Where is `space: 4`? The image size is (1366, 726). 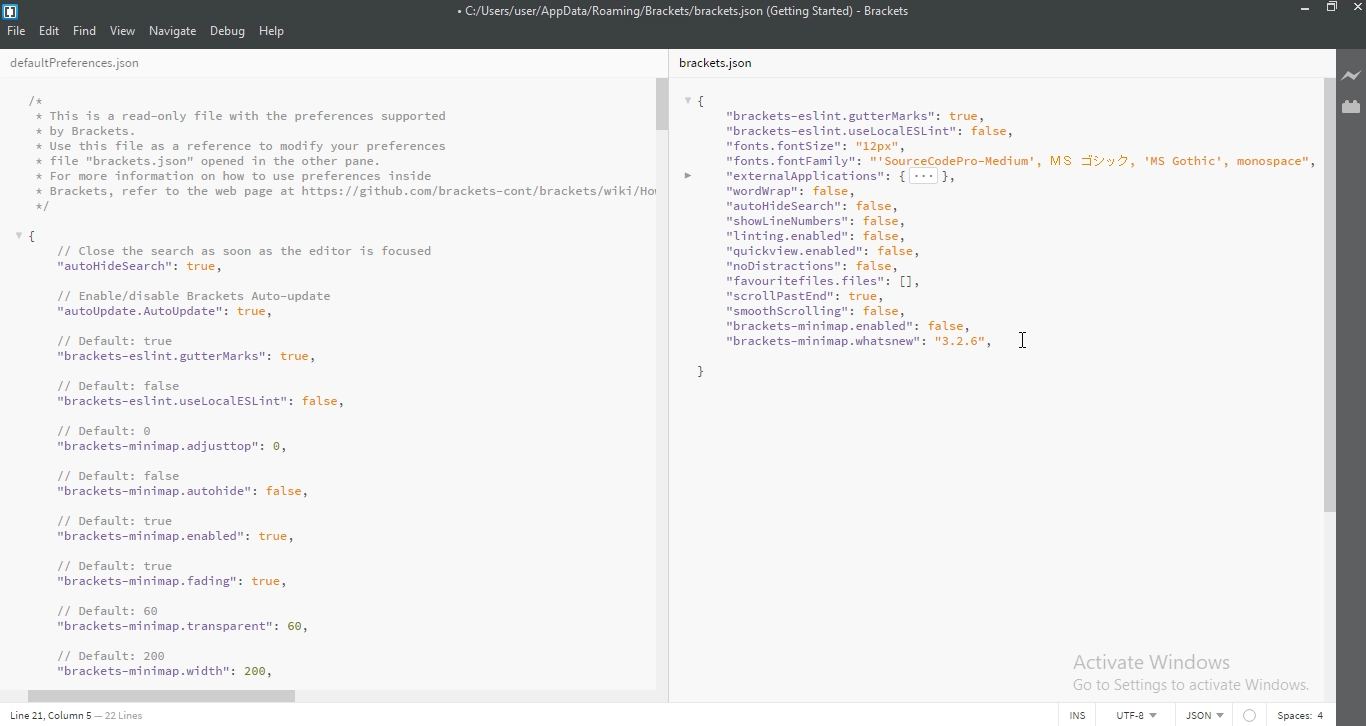 space: 4 is located at coordinates (1298, 713).